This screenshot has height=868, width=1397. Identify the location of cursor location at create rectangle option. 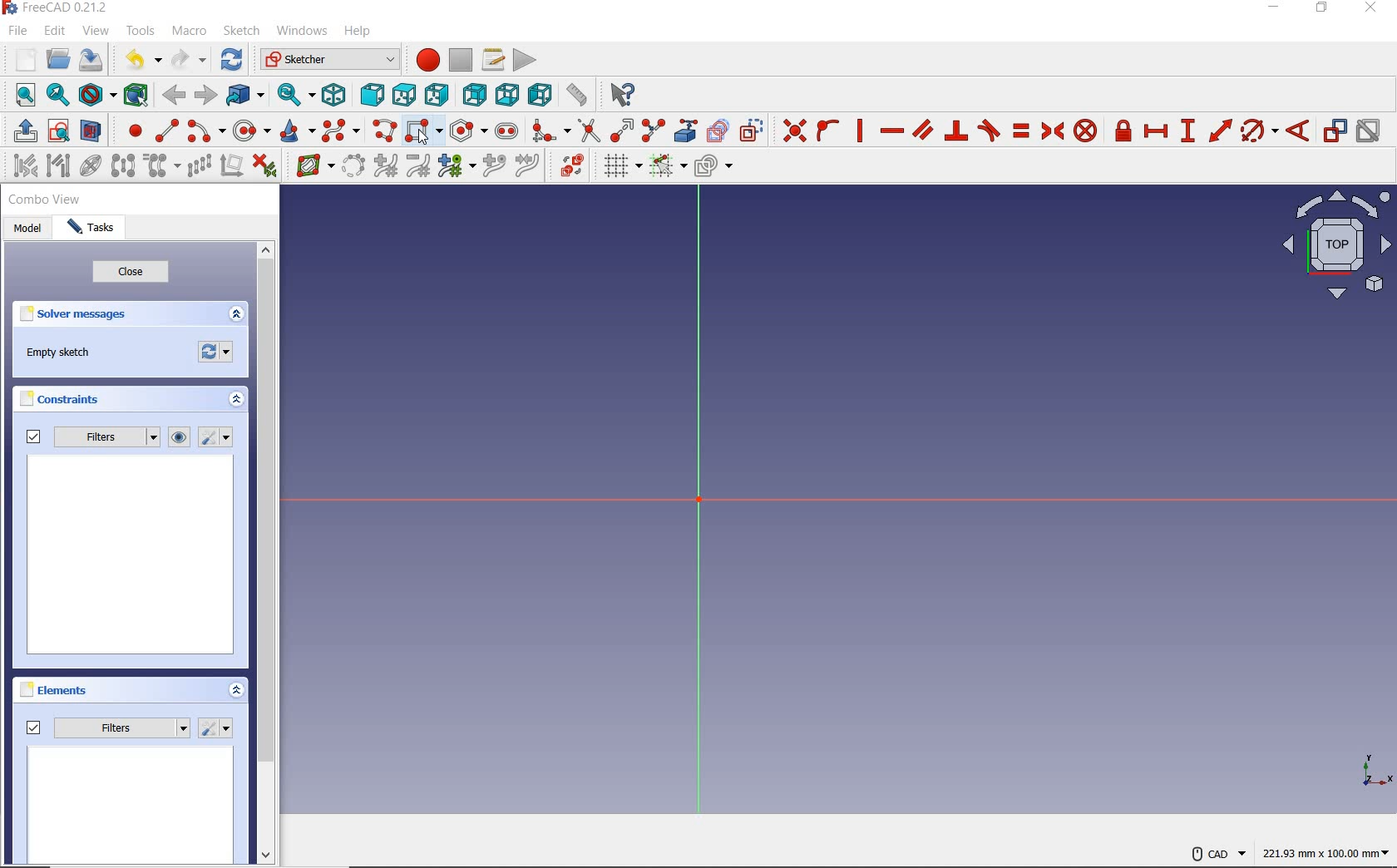
(423, 140).